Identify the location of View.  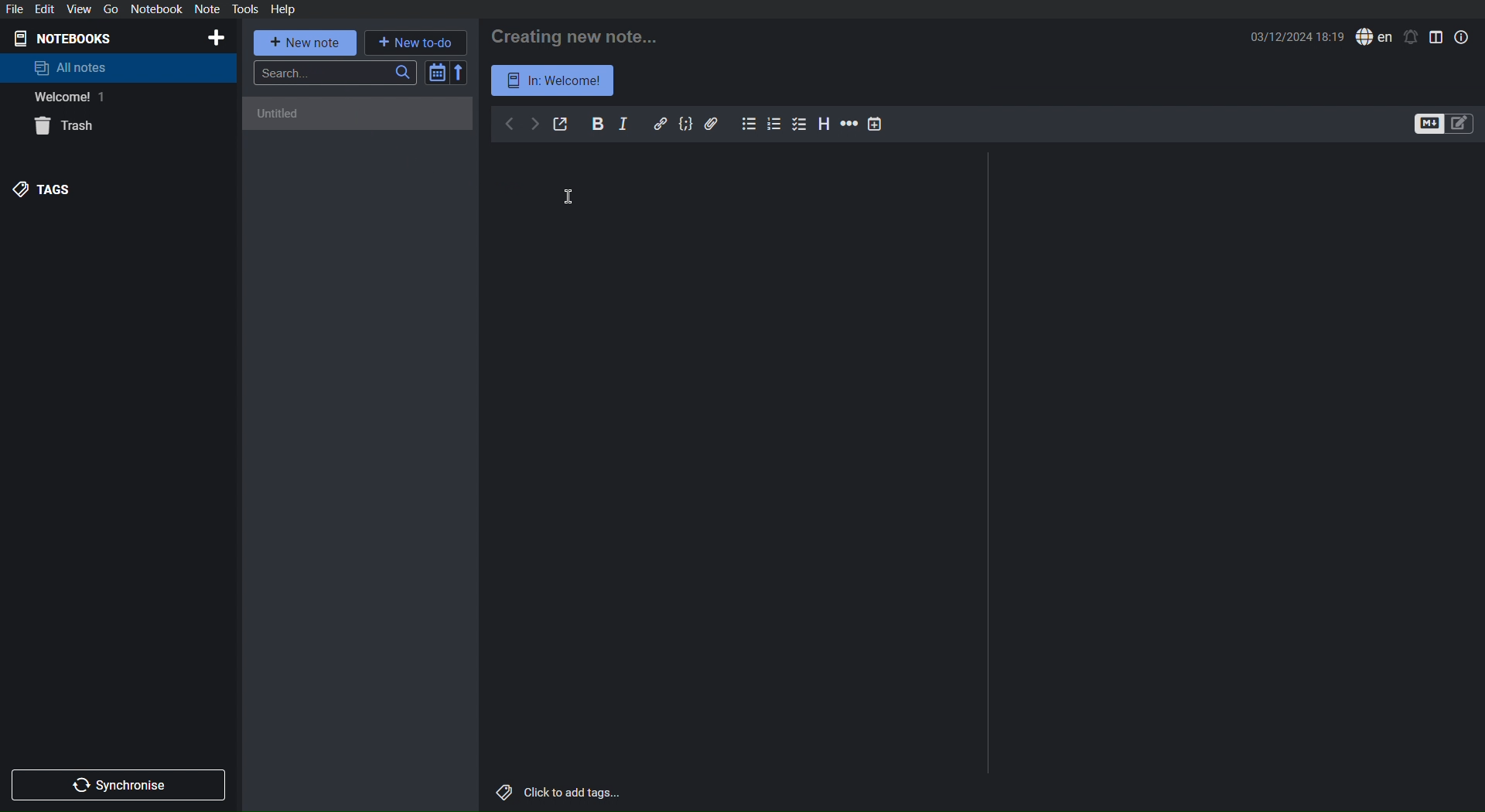
(78, 9).